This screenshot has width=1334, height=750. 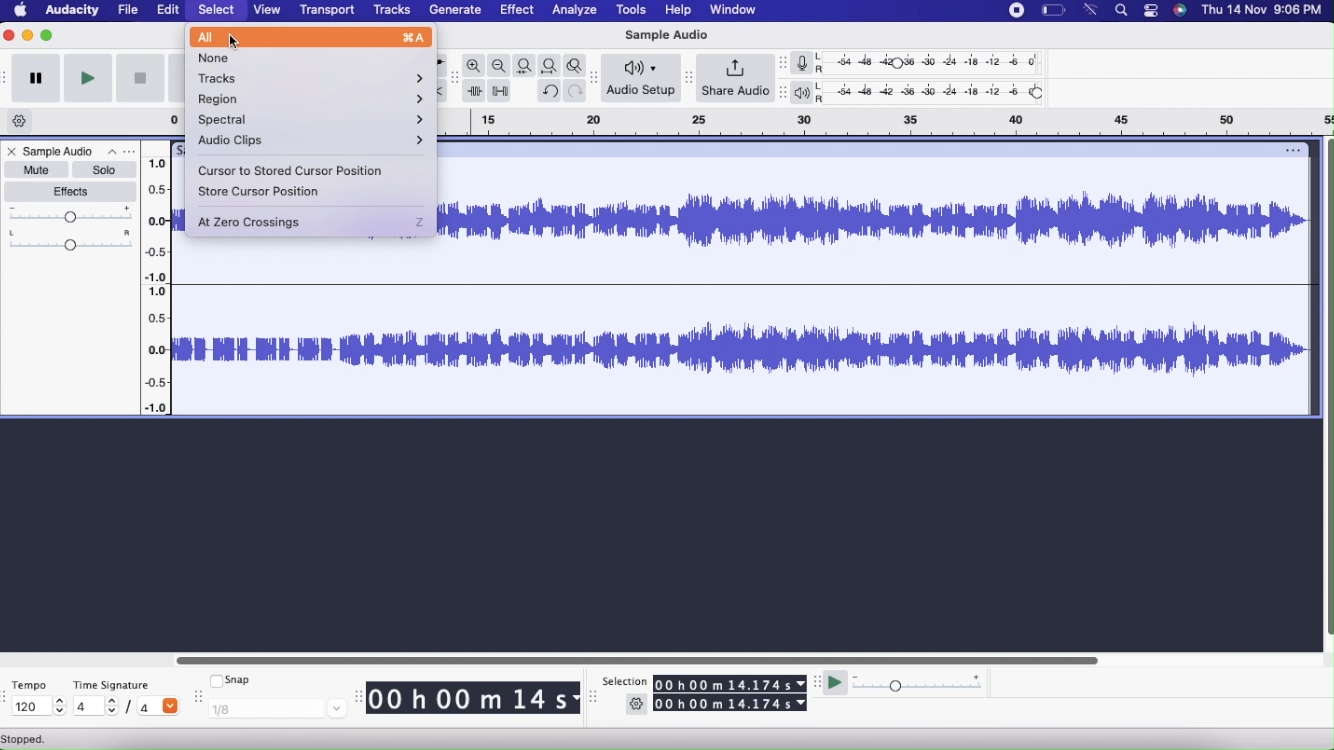 What do you see at coordinates (1154, 11) in the screenshot?
I see `Stack` at bounding box center [1154, 11].